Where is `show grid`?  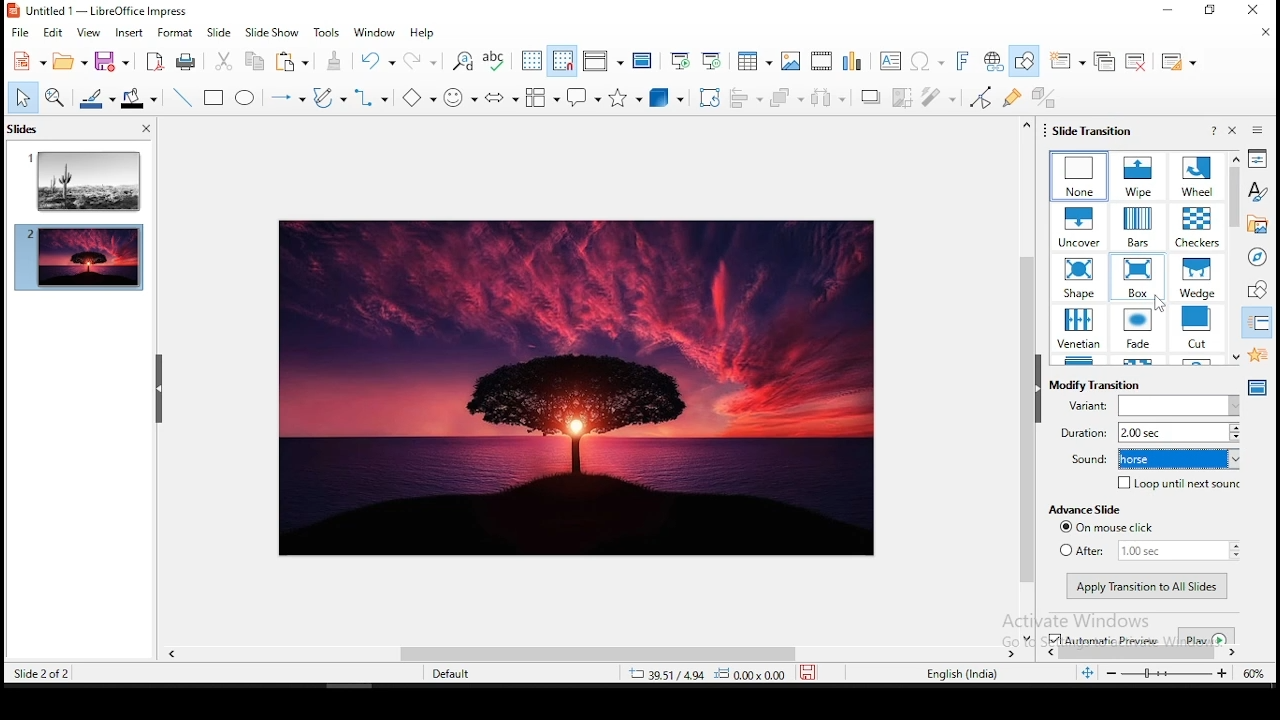 show grid is located at coordinates (533, 61).